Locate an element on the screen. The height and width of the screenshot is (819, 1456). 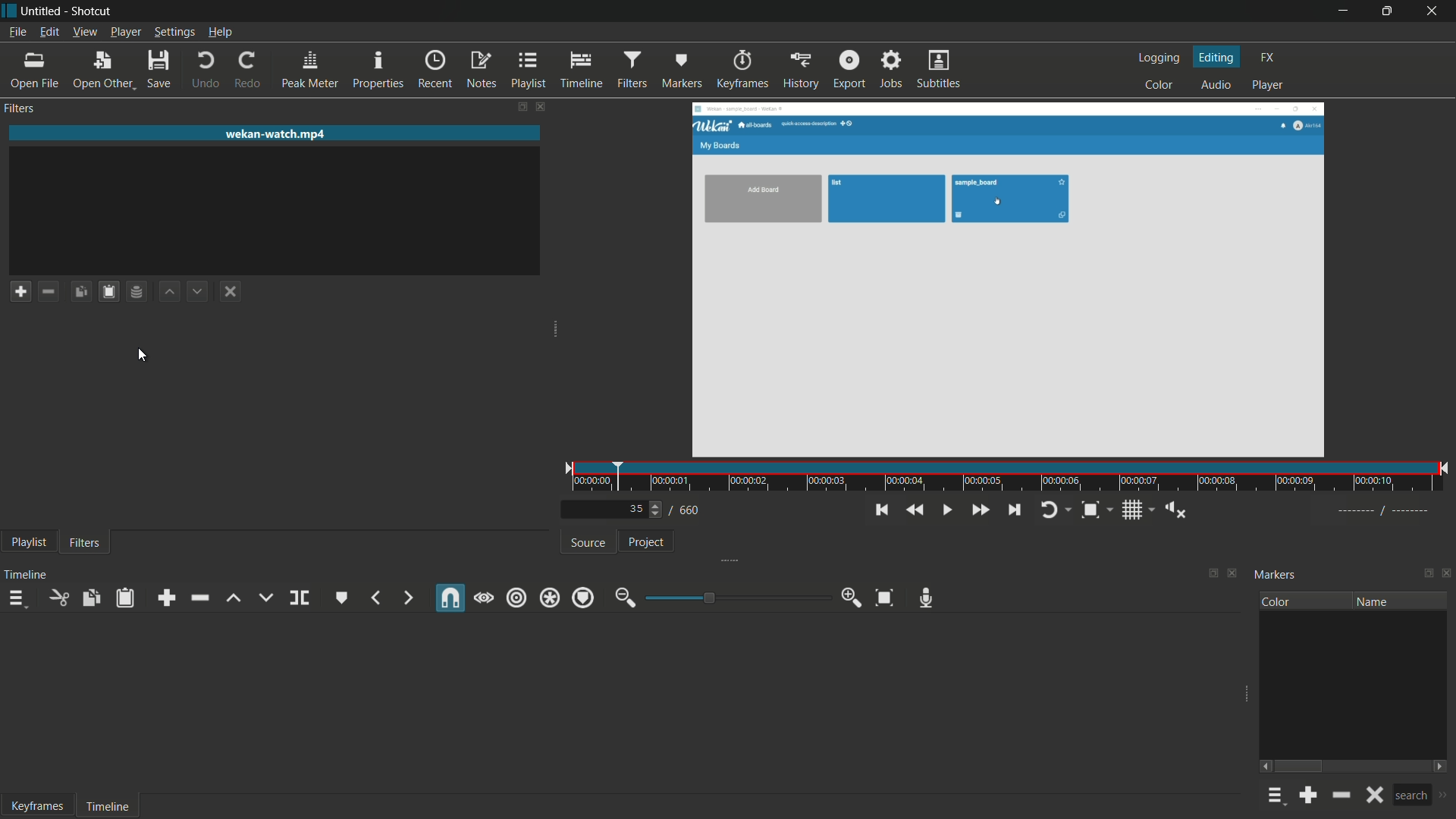
remove a marker is located at coordinates (1341, 795).